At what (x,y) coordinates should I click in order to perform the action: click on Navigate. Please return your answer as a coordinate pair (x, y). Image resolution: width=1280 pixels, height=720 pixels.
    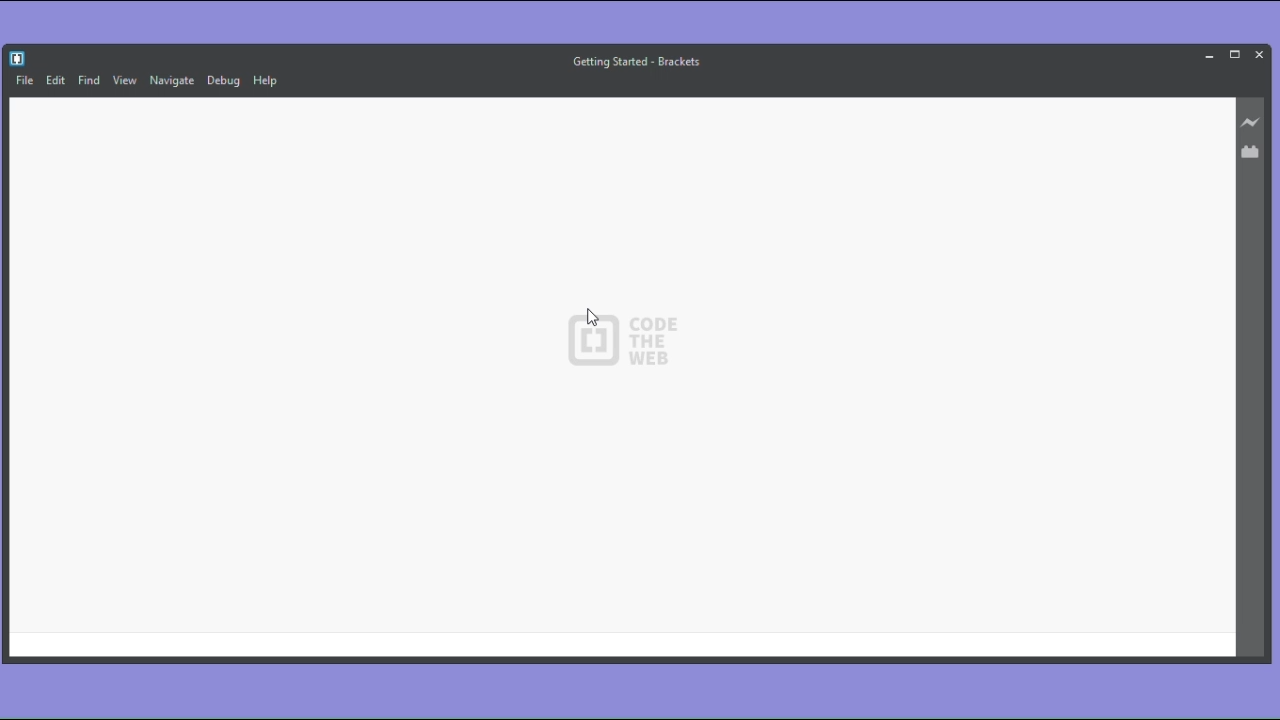
    Looking at the image, I should click on (174, 82).